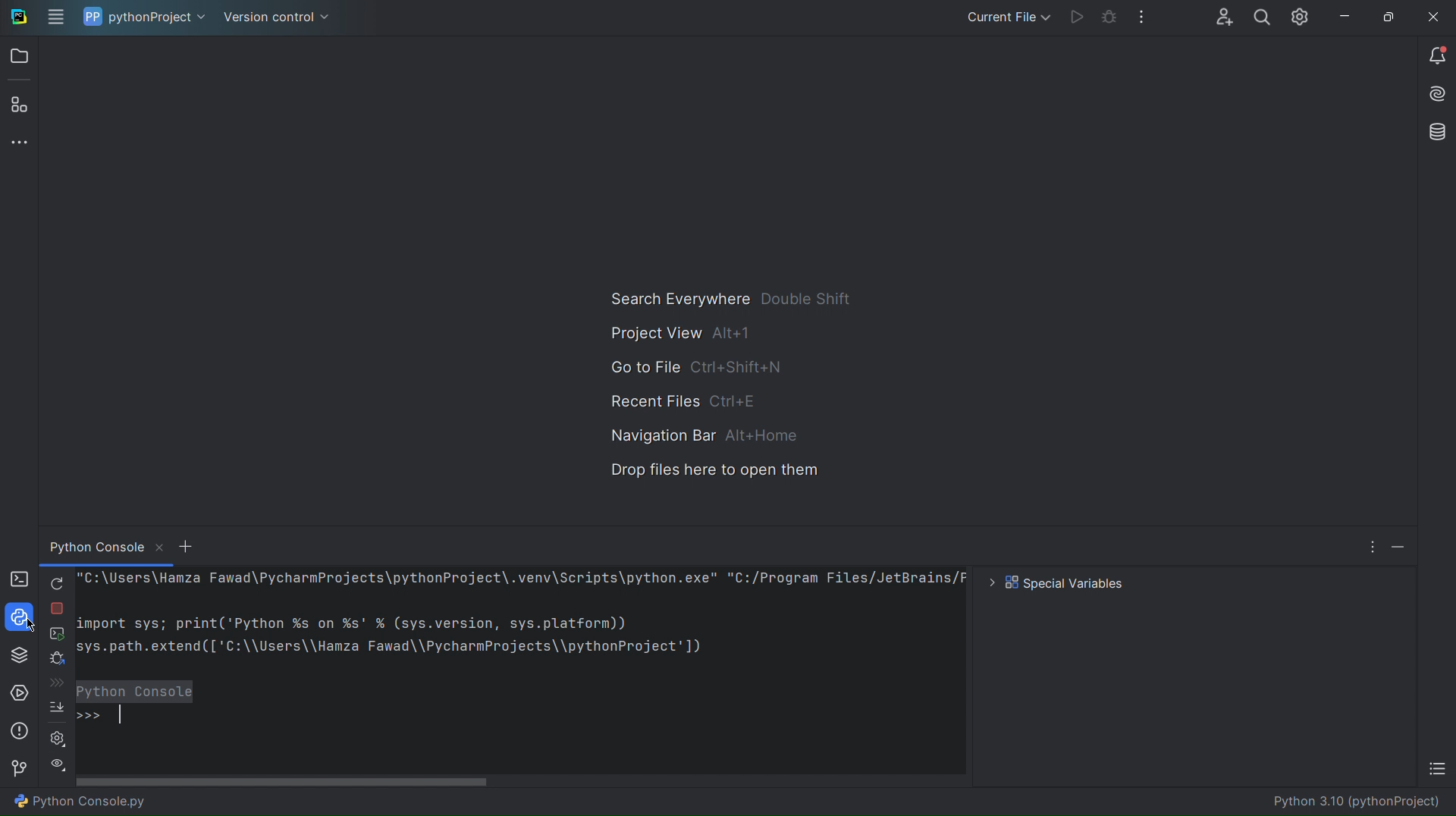 Image resolution: width=1456 pixels, height=816 pixels. What do you see at coordinates (58, 763) in the screenshot?
I see `Output Actions` at bounding box center [58, 763].